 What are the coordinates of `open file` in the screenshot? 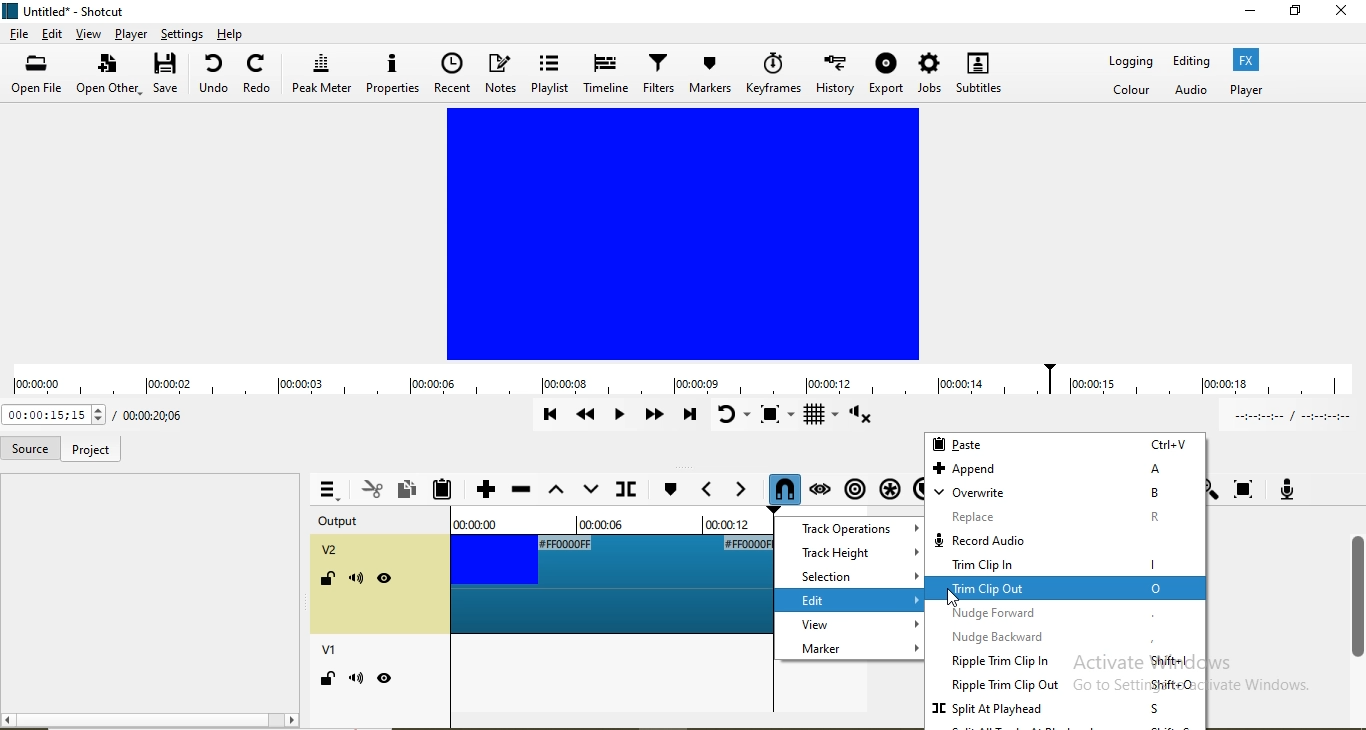 It's located at (40, 76).